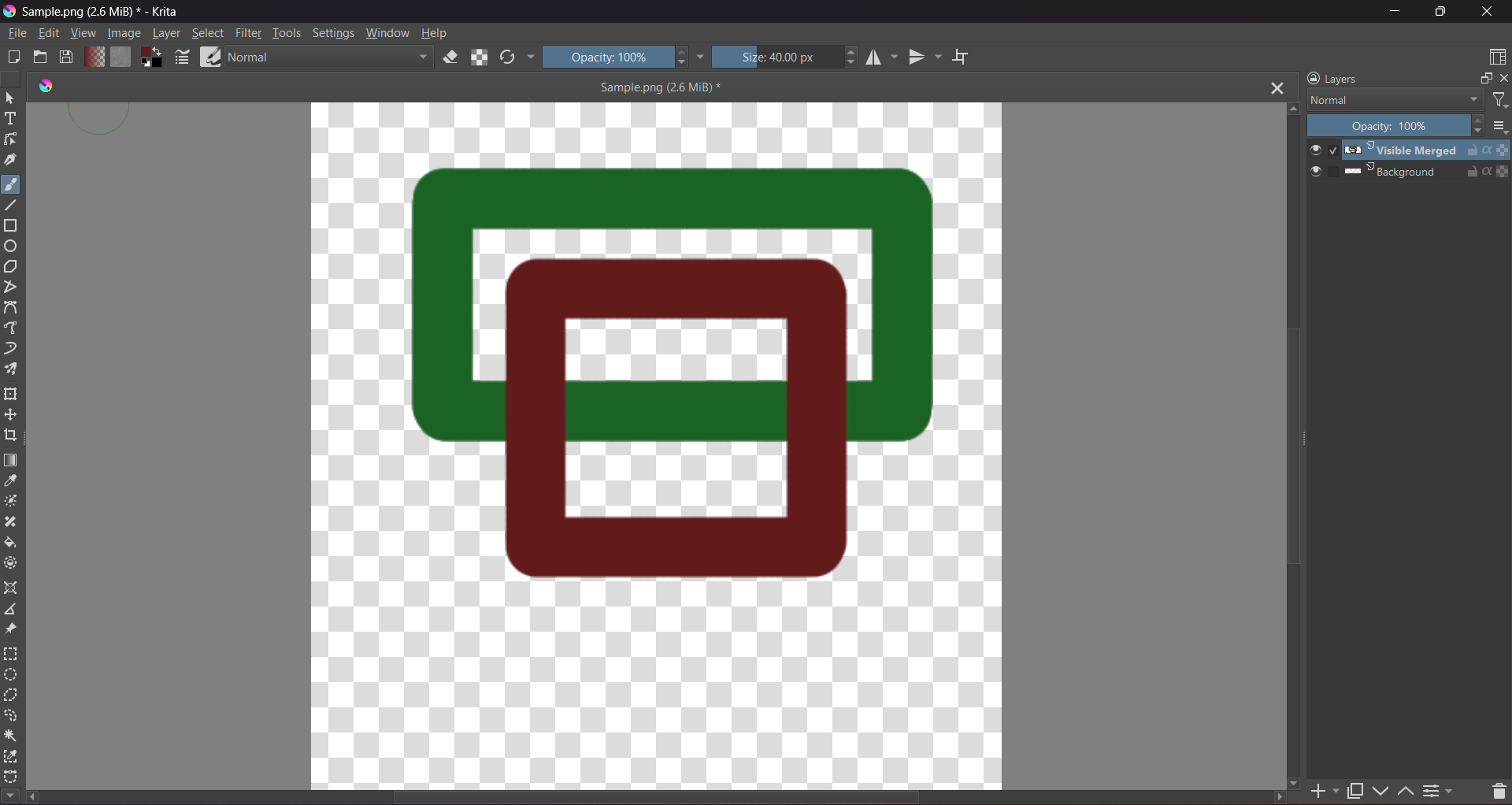 The height and width of the screenshot is (805, 1512). What do you see at coordinates (787, 56) in the screenshot?
I see `Size` at bounding box center [787, 56].